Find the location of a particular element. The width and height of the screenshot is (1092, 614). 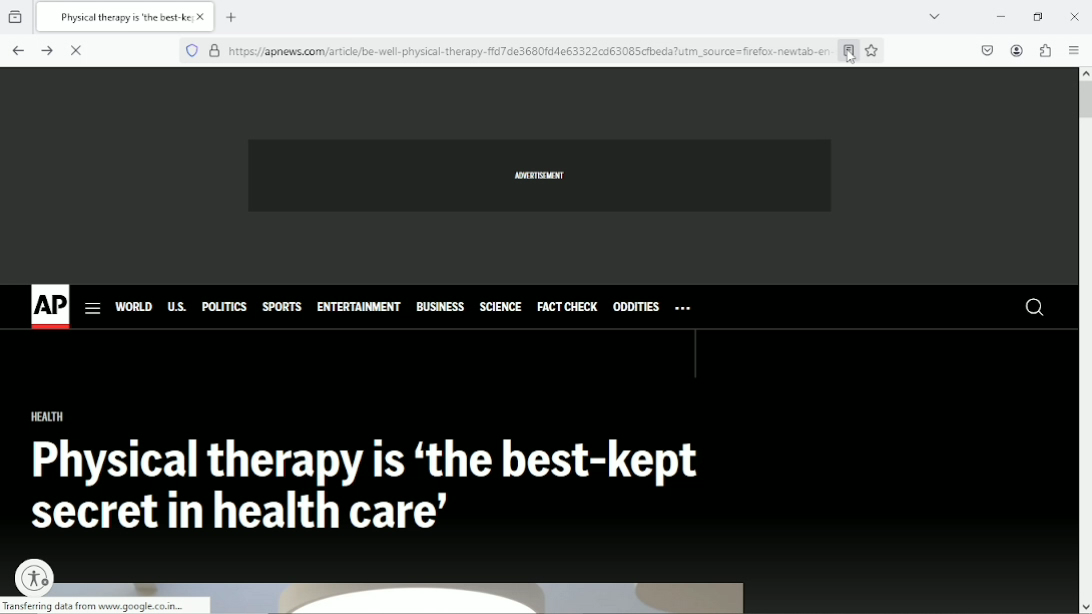

minimize is located at coordinates (995, 16).